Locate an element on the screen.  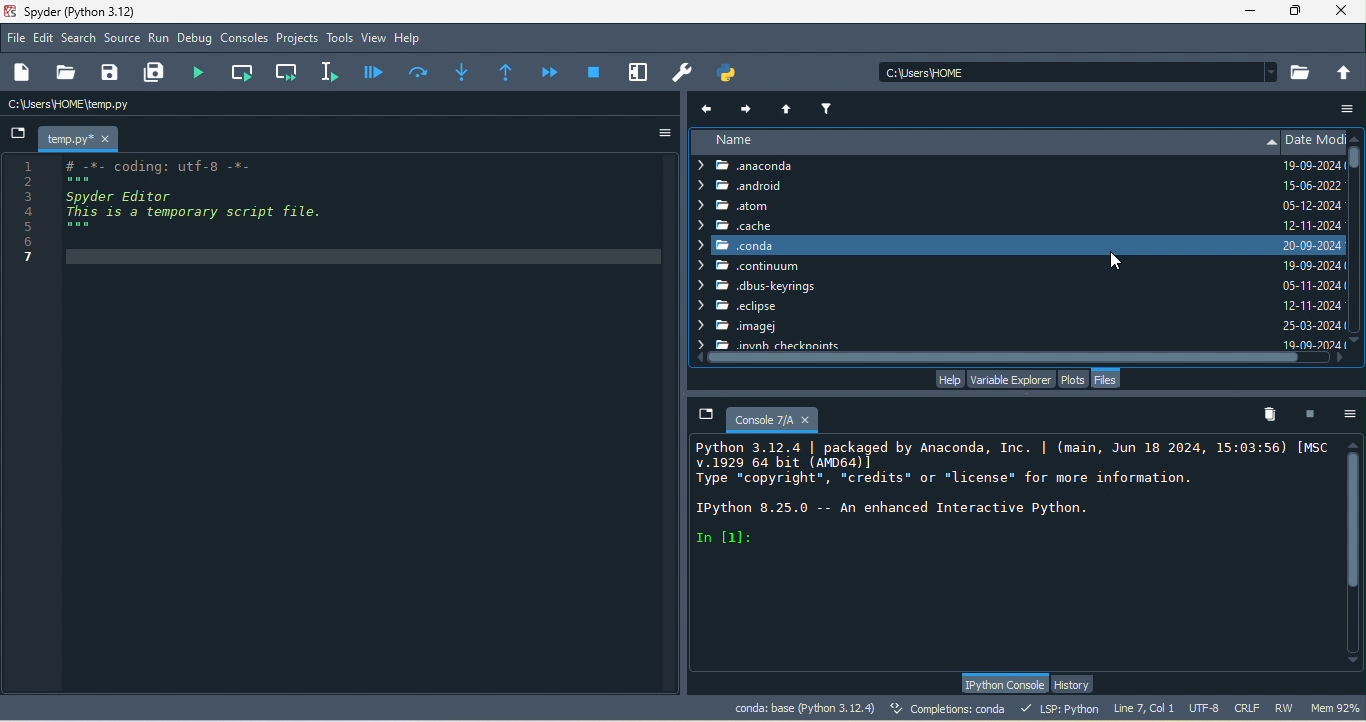
change to parent directory is located at coordinates (1345, 71).